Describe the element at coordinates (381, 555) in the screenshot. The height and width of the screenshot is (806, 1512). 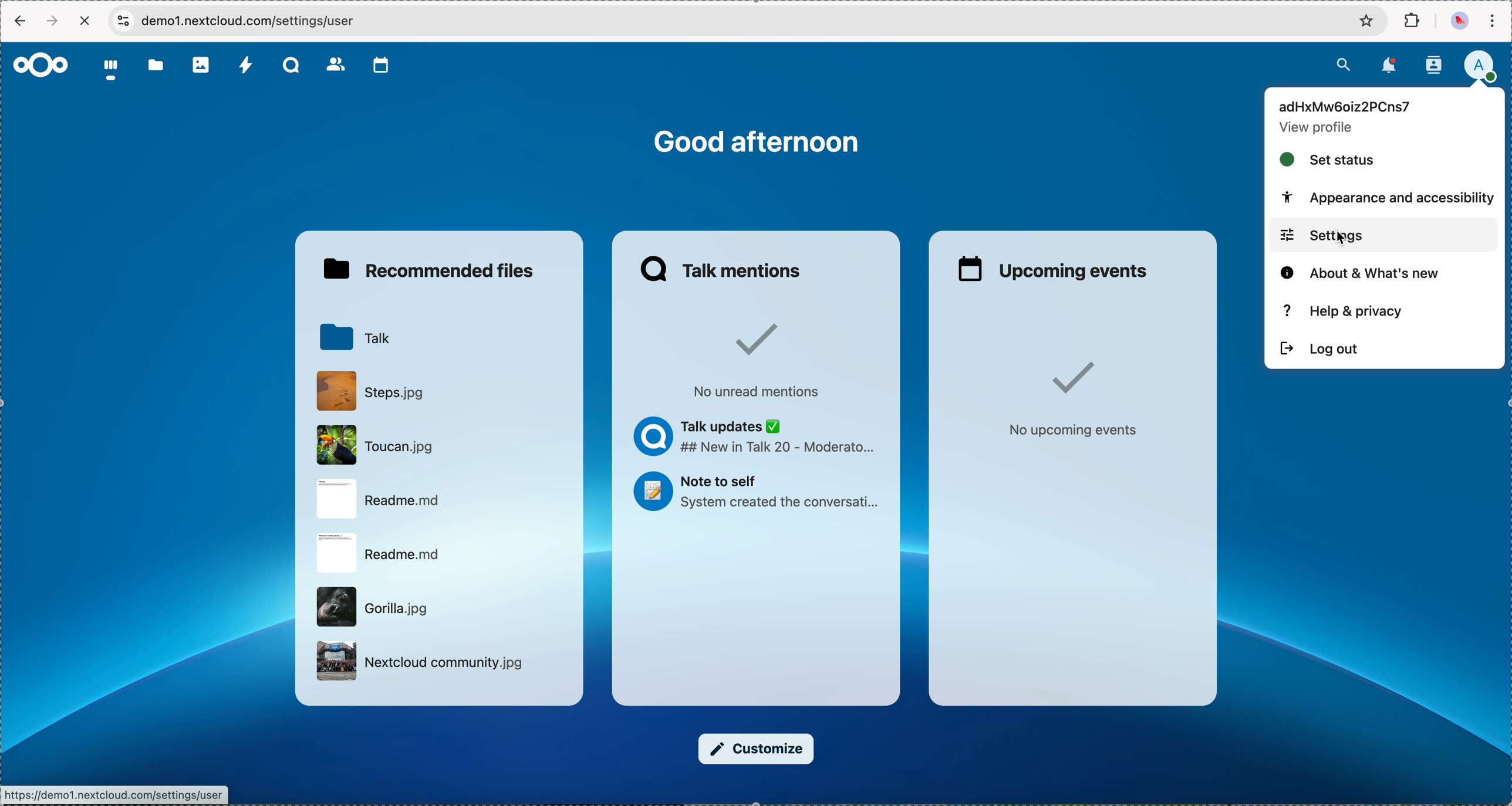
I see `file` at that location.